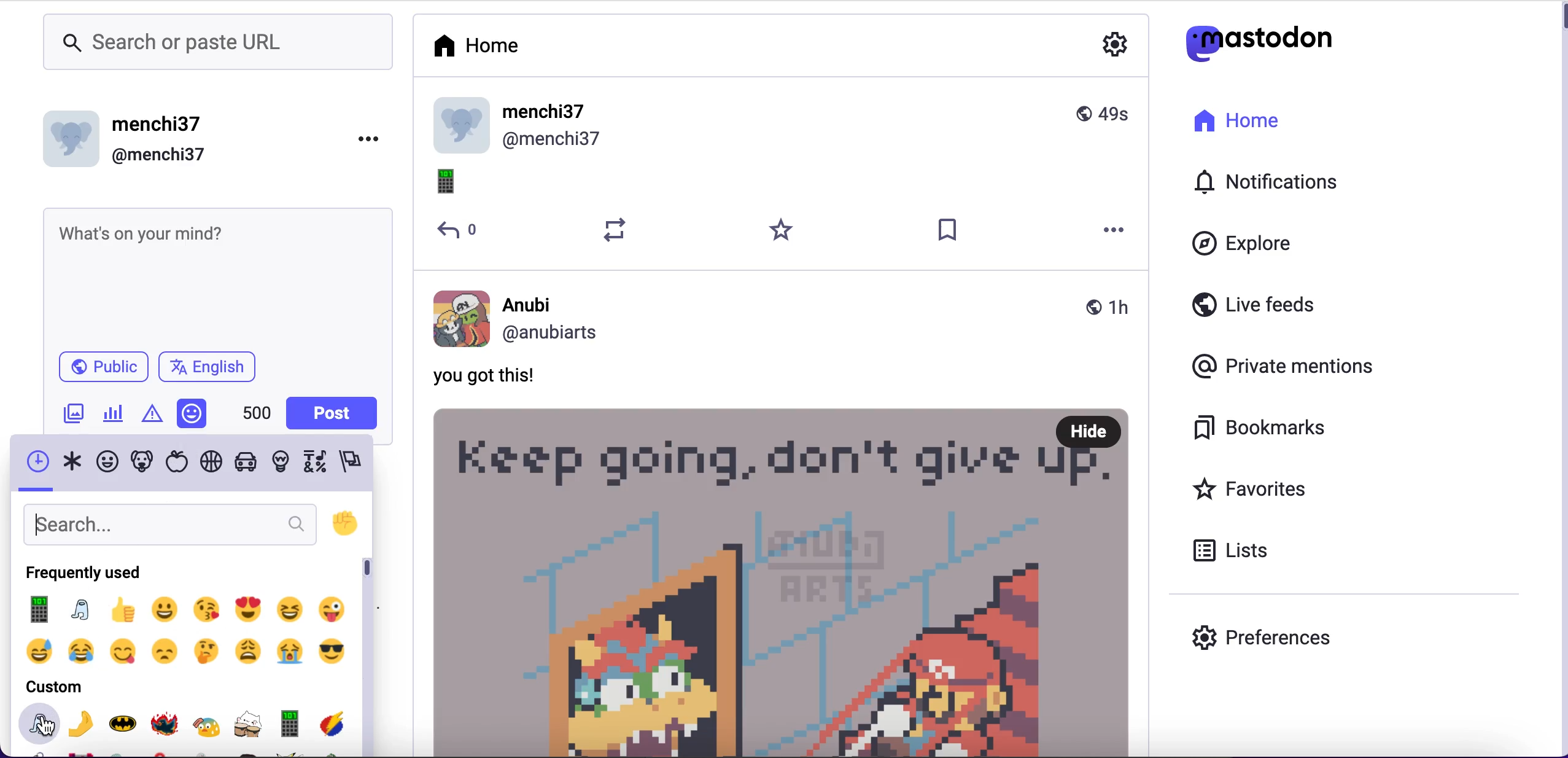 The height and width of the screenshot is (758, 1568). What do you see at coordinates (189, 464) in the screenshot?
I see `emojis` at bounding box center [189, 464].